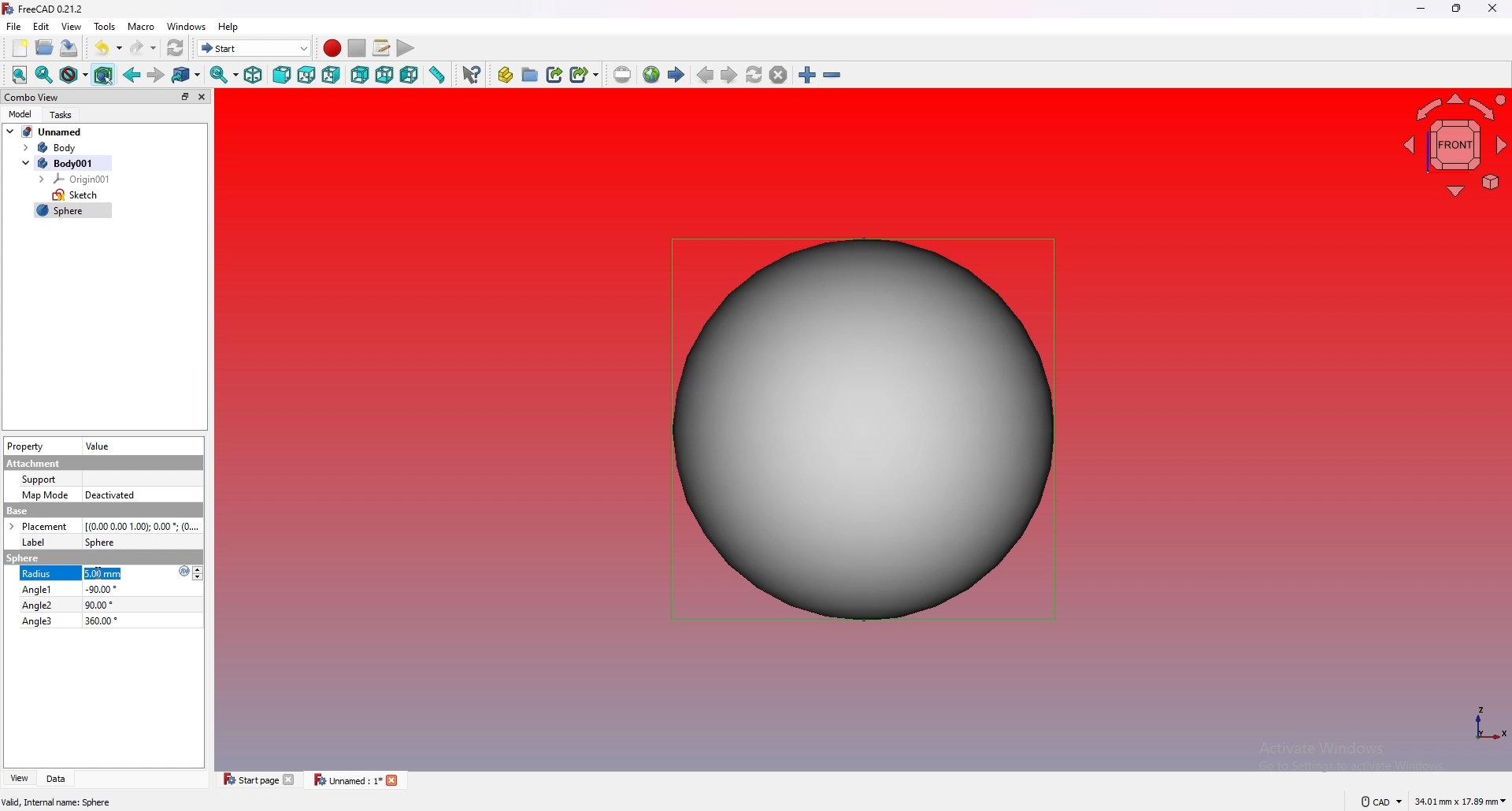 This screenshot has height=811, width=1512. Describe the element at coordinates (102, 446) in the screenshot. I see `value` at that location.